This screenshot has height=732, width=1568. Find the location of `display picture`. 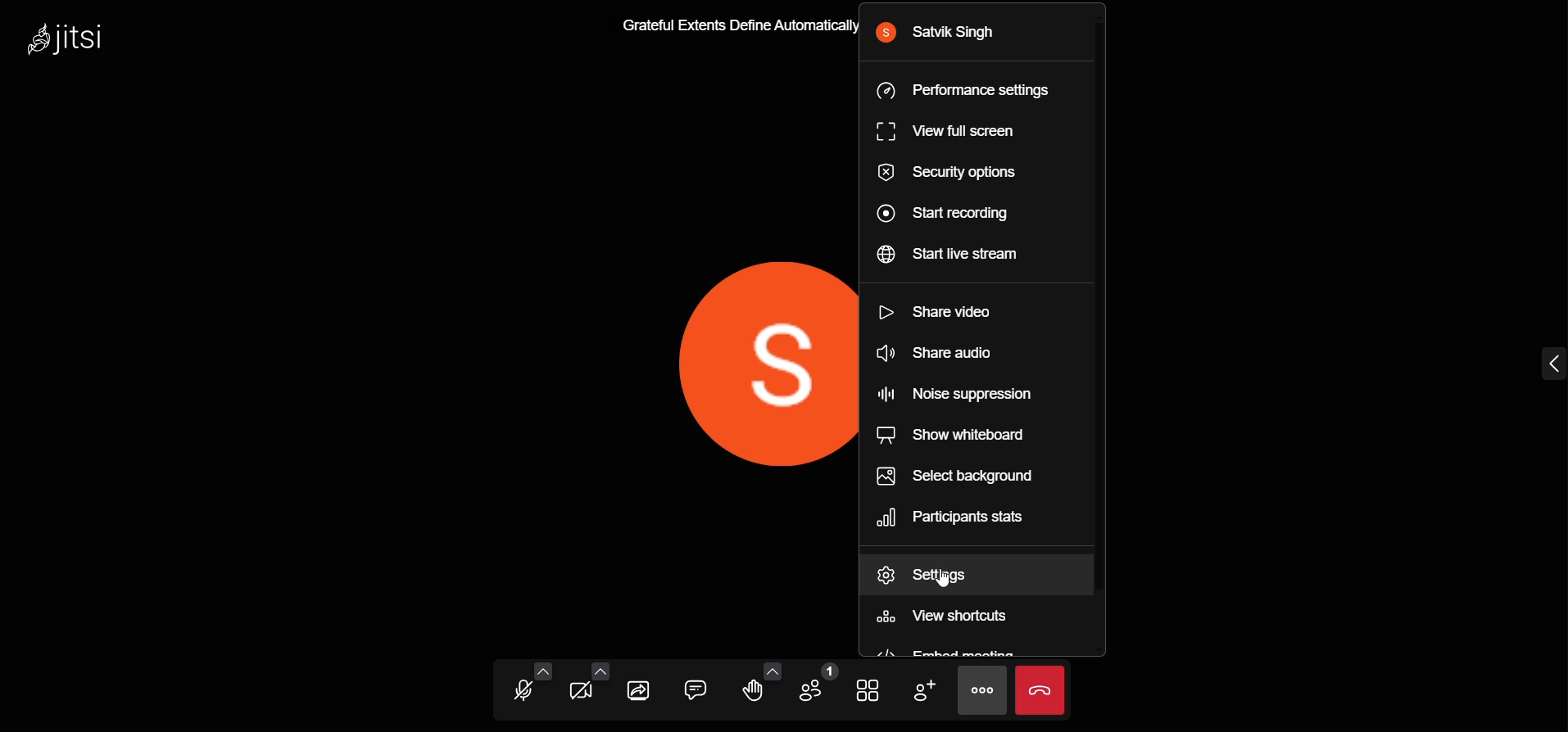

display picture is located at coordinates (746, 368).